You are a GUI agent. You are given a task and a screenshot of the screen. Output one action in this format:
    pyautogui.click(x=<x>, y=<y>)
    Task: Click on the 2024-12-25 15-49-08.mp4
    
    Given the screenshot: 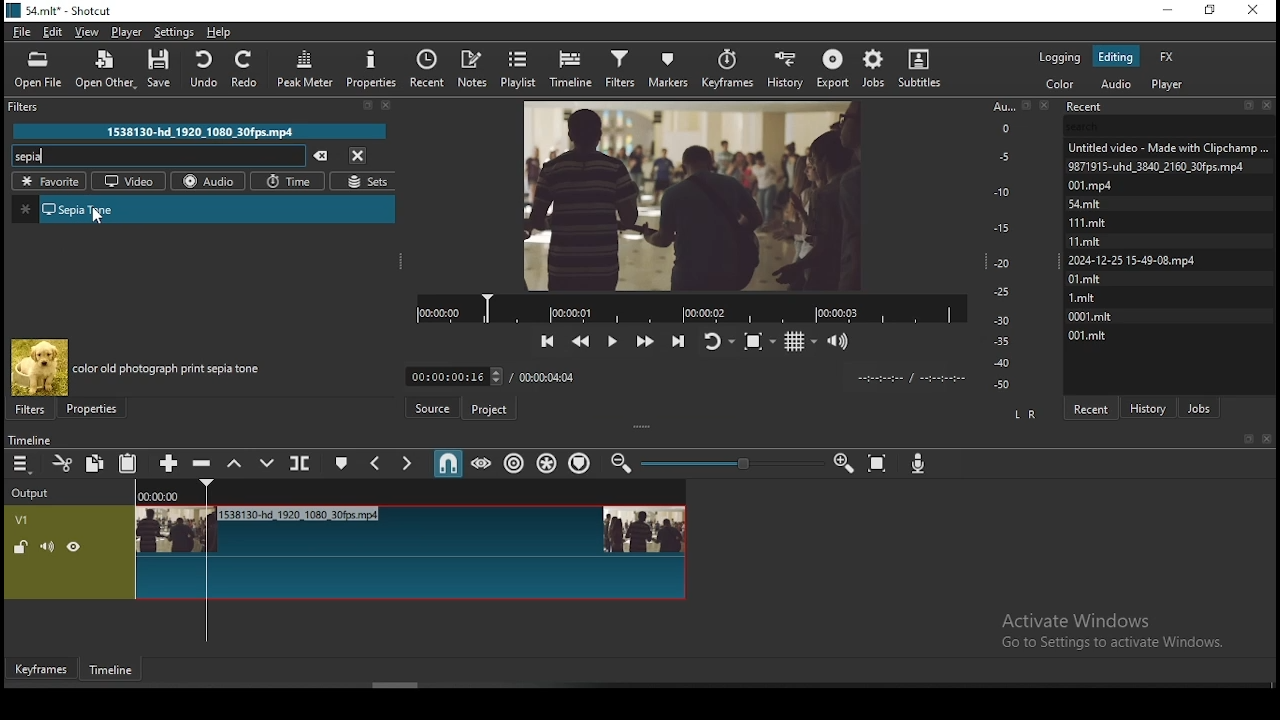 What is the action you would take?
    pyautogui.click(x=1131, y=260)
    